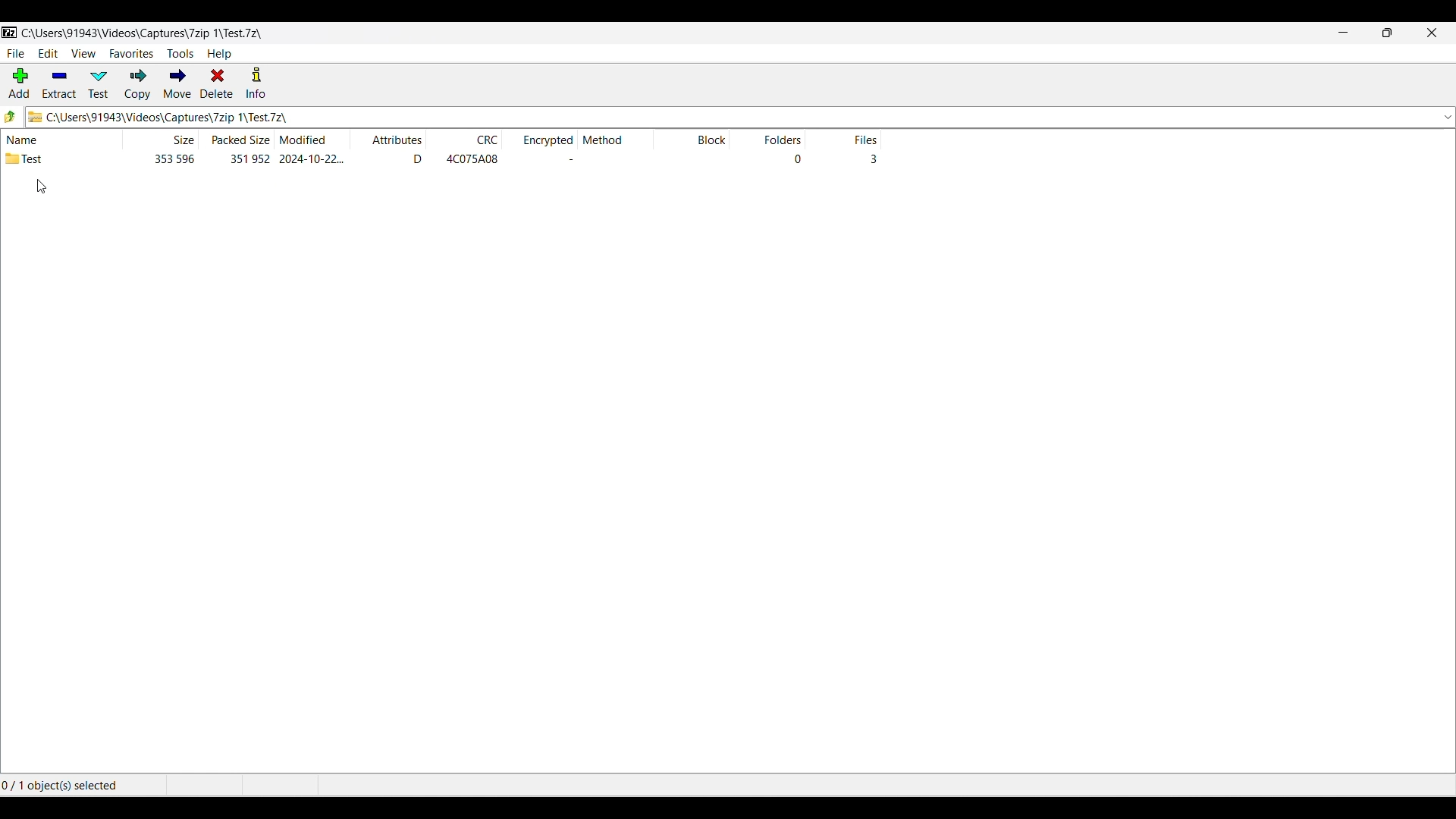 This screenshot has height=819, width=1456. What do you see at coordinates (256, 83) in the screenshot?
I see `Info` at bounding box center [256, 83].